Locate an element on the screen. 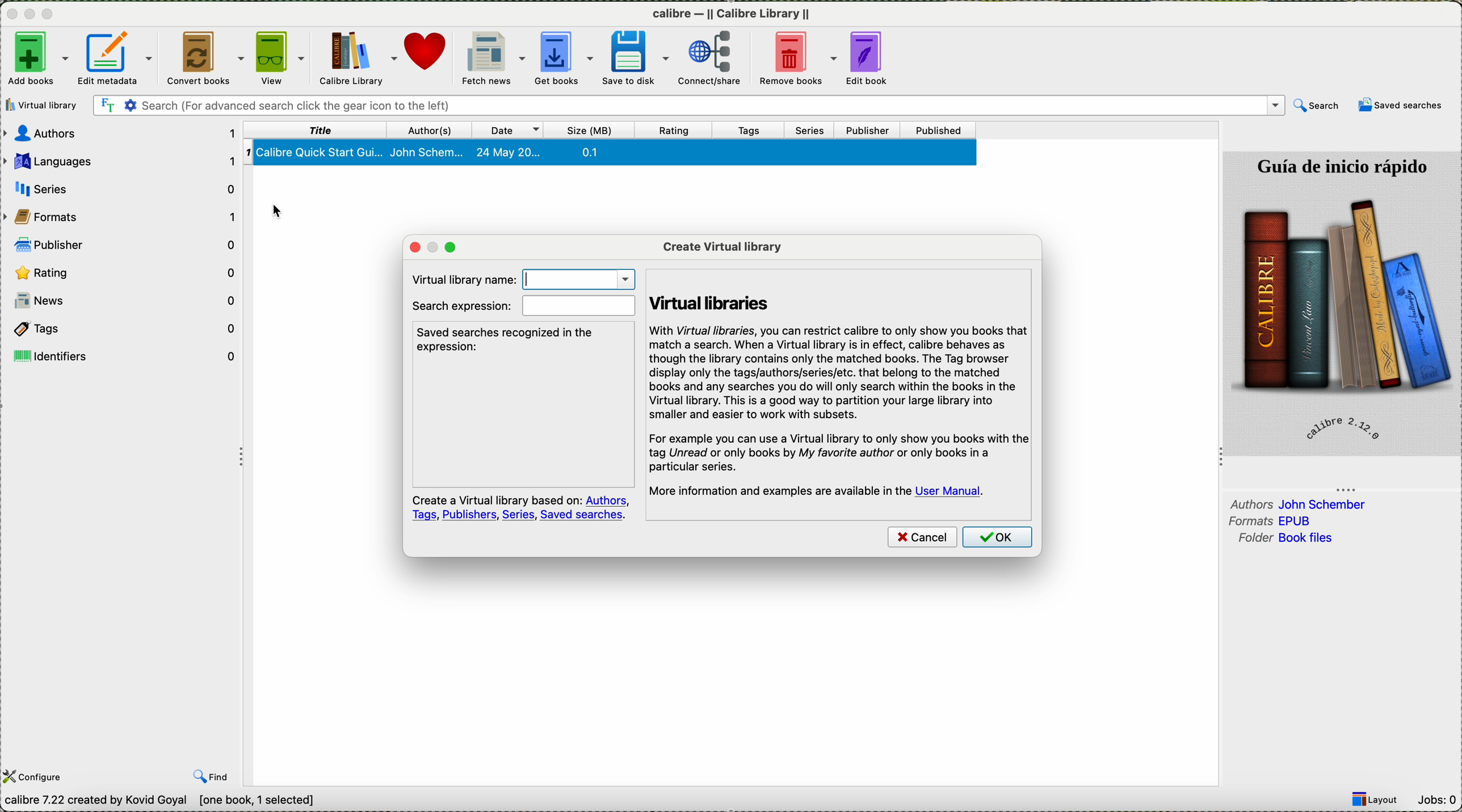  add books is located at coordinates (36, 57).